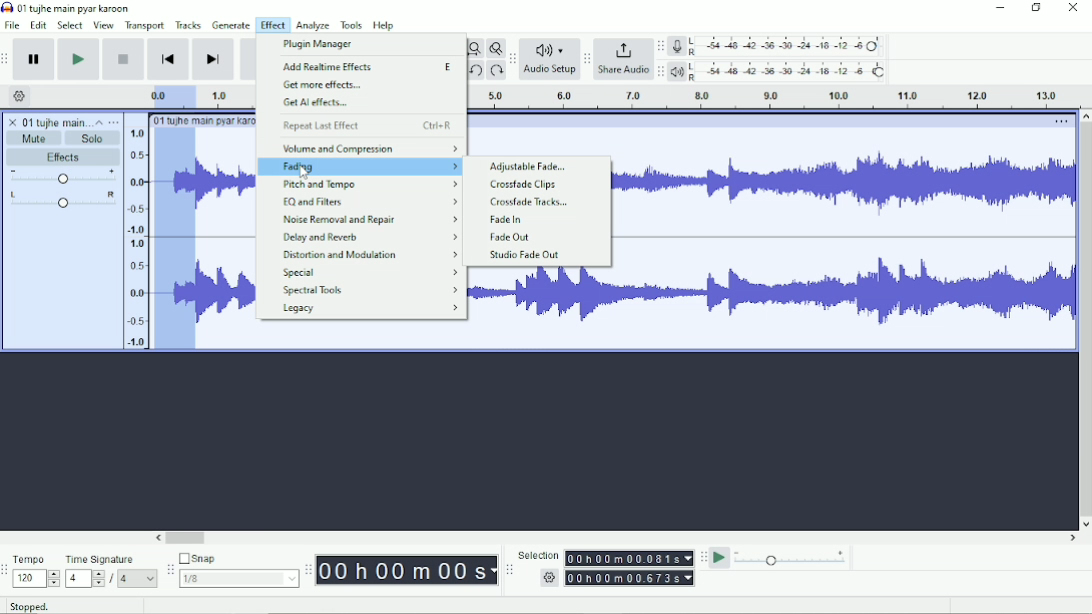 This screenshot has width=1092, height=614. I want to click on File, so click(14, 25).